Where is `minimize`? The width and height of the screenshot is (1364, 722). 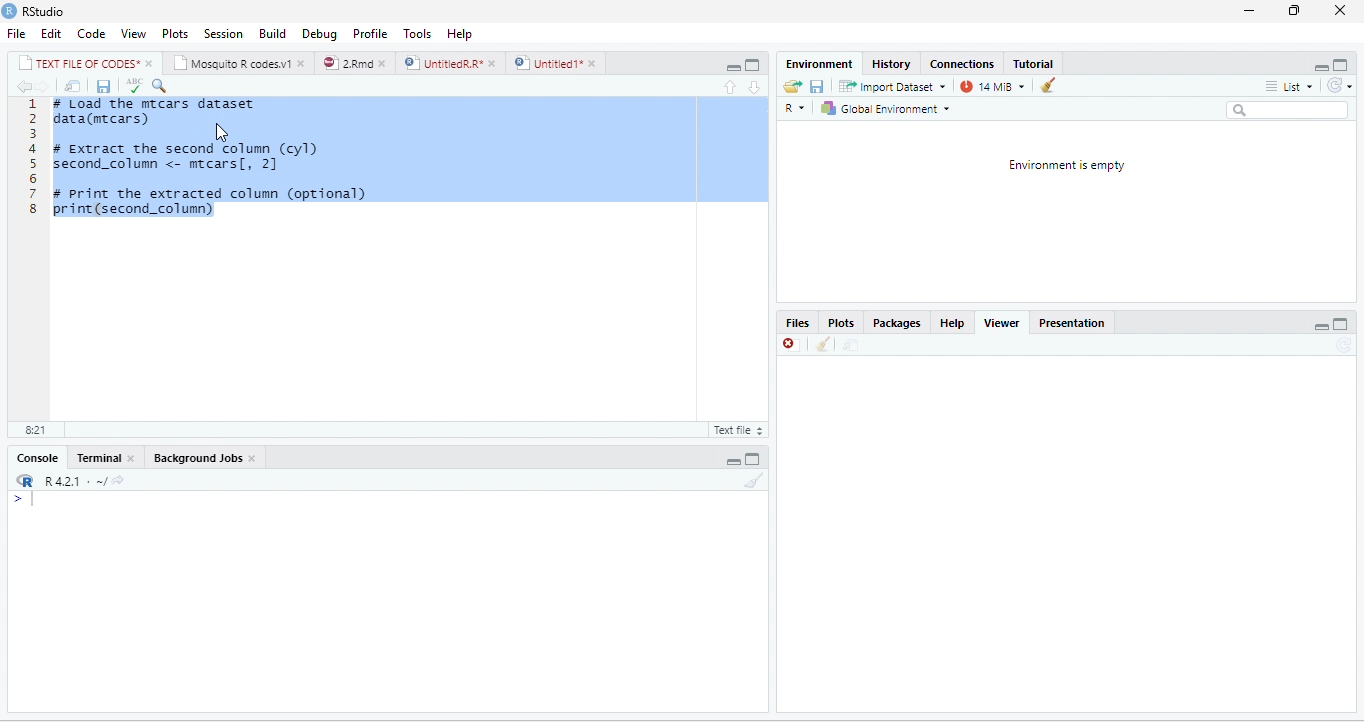
minimize is located at coordinates (754, 64).